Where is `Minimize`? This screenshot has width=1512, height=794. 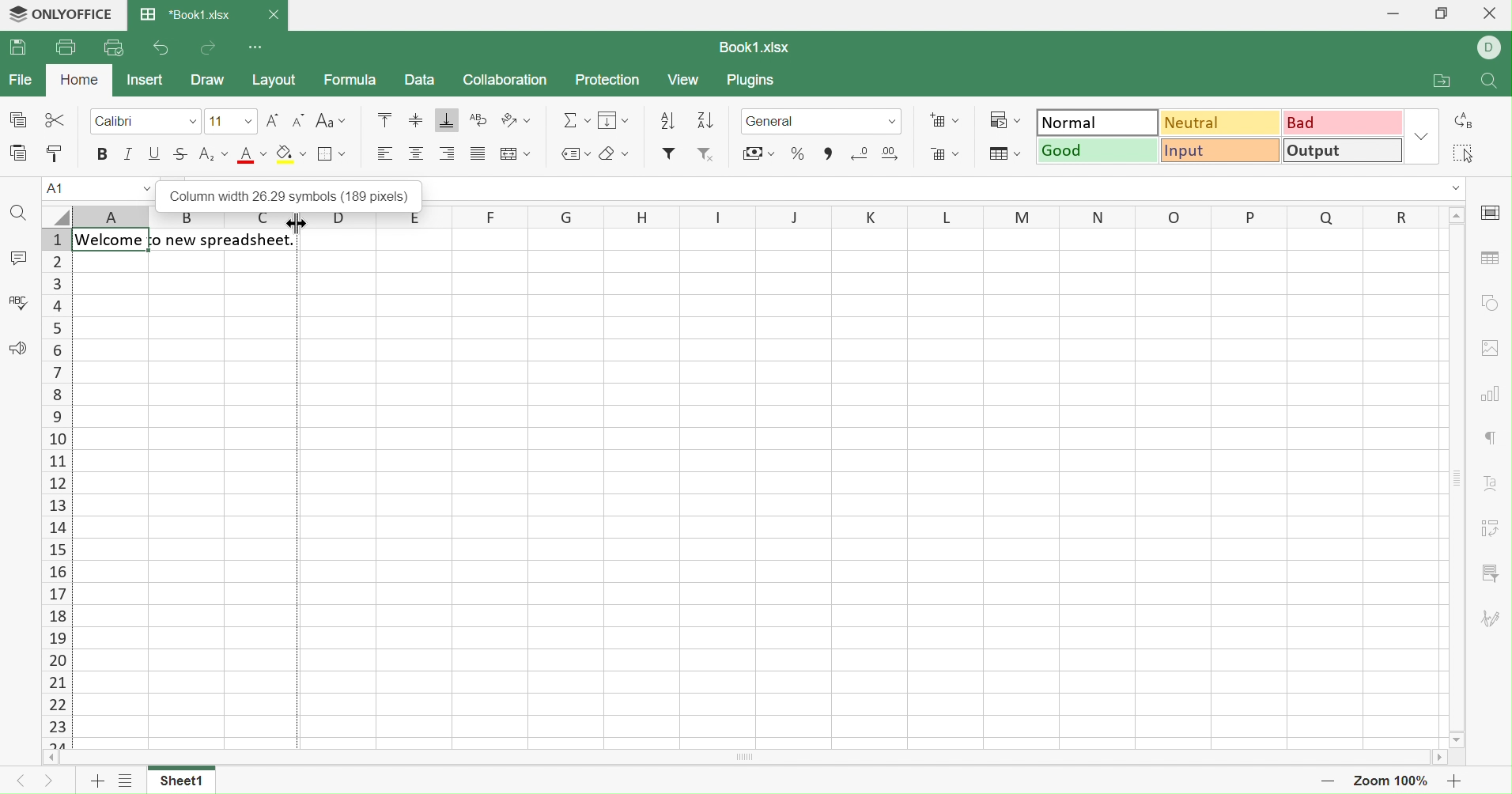 Minimize is located at coordinates (1387, 13).